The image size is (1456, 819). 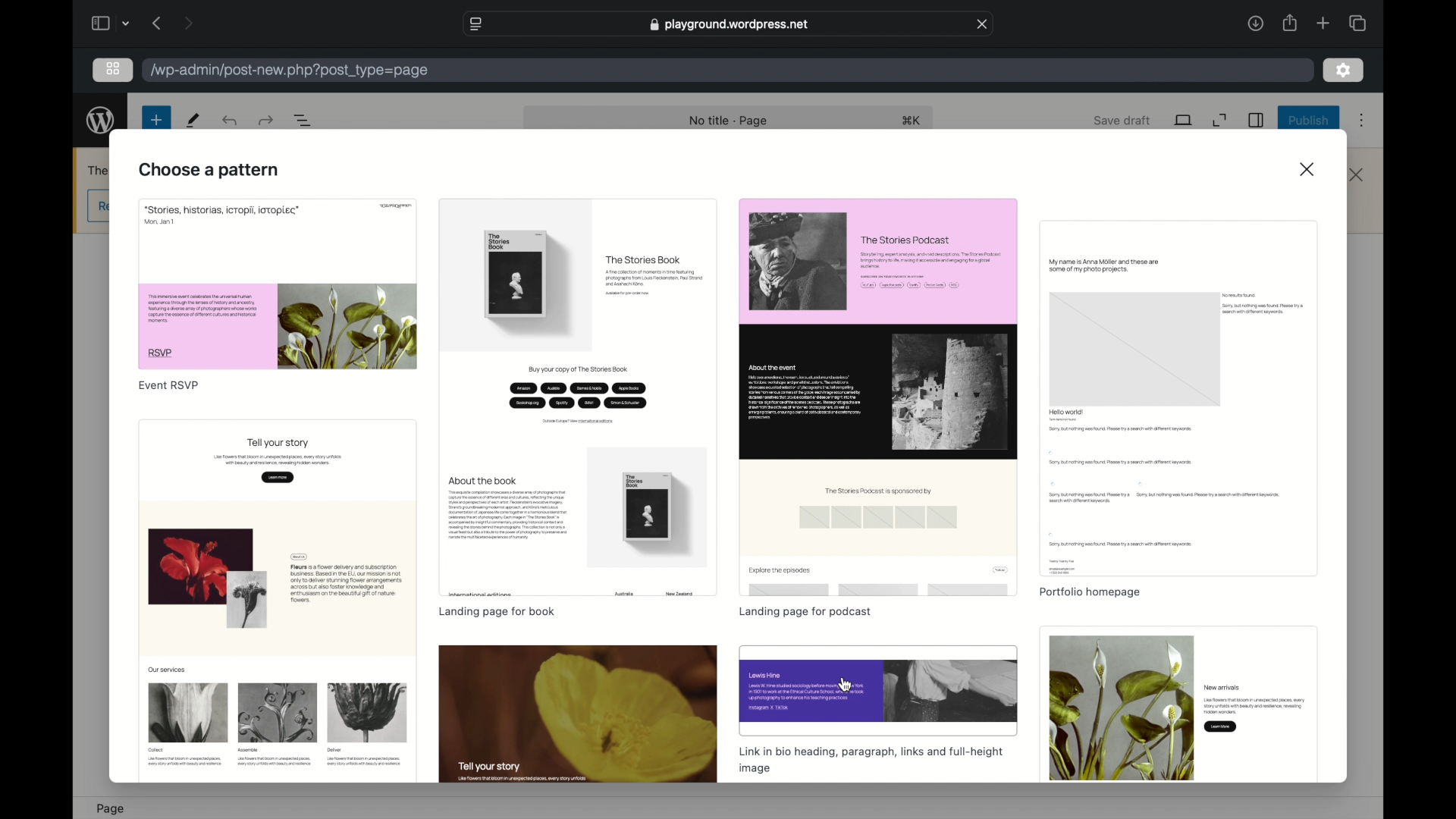 What do you see at coordinates (1361, 122) in the screenshot?
I see `more options` at bounding box center [1361, 122].